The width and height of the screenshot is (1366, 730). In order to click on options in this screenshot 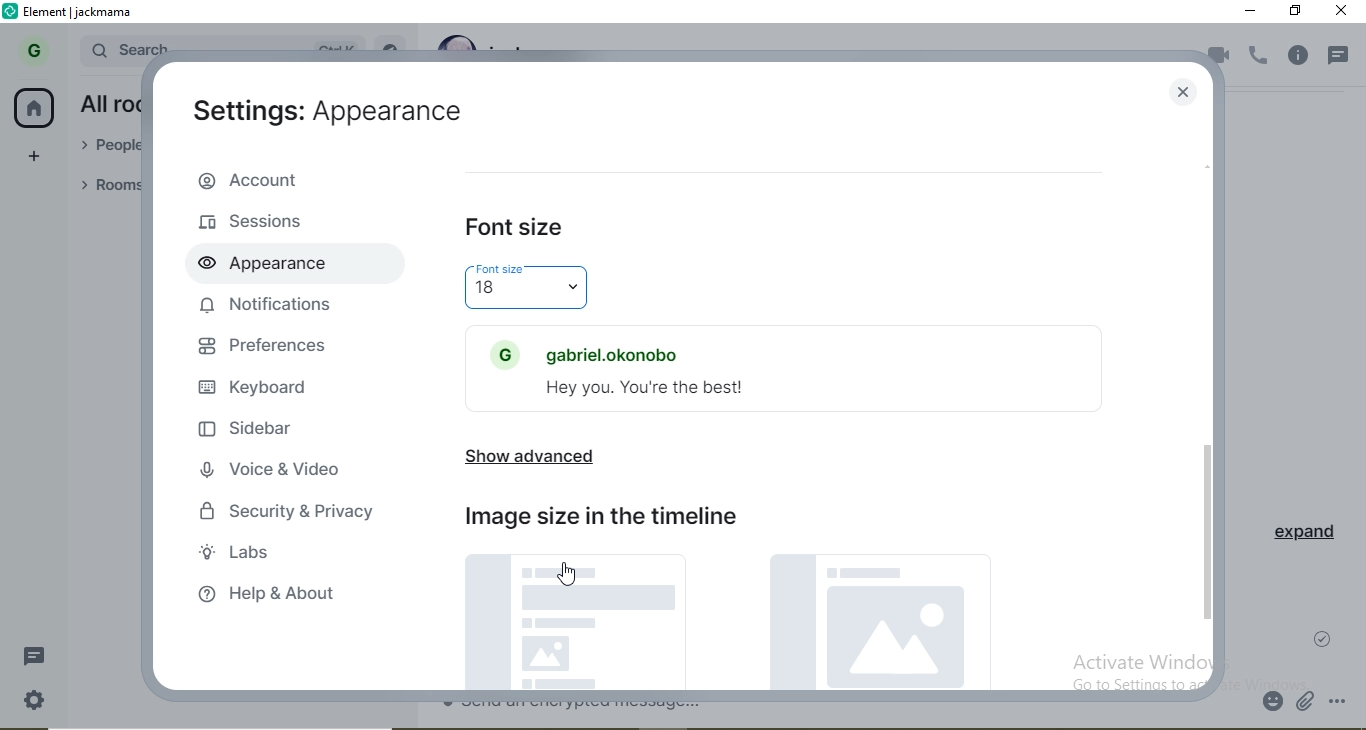, I will do `click(1345, 702)`.